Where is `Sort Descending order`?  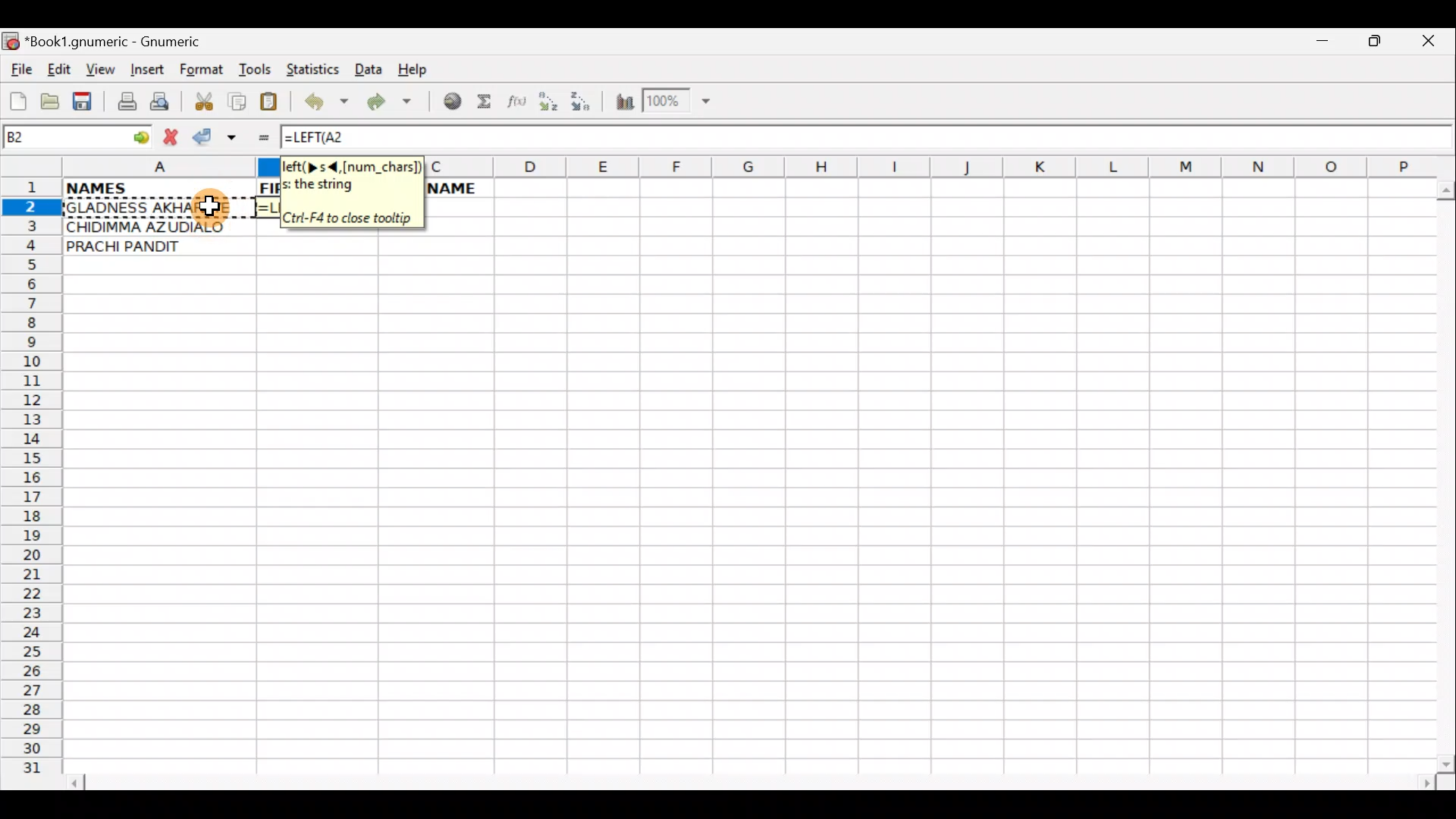
Sort Descending order is located at coordinates (585, 105).